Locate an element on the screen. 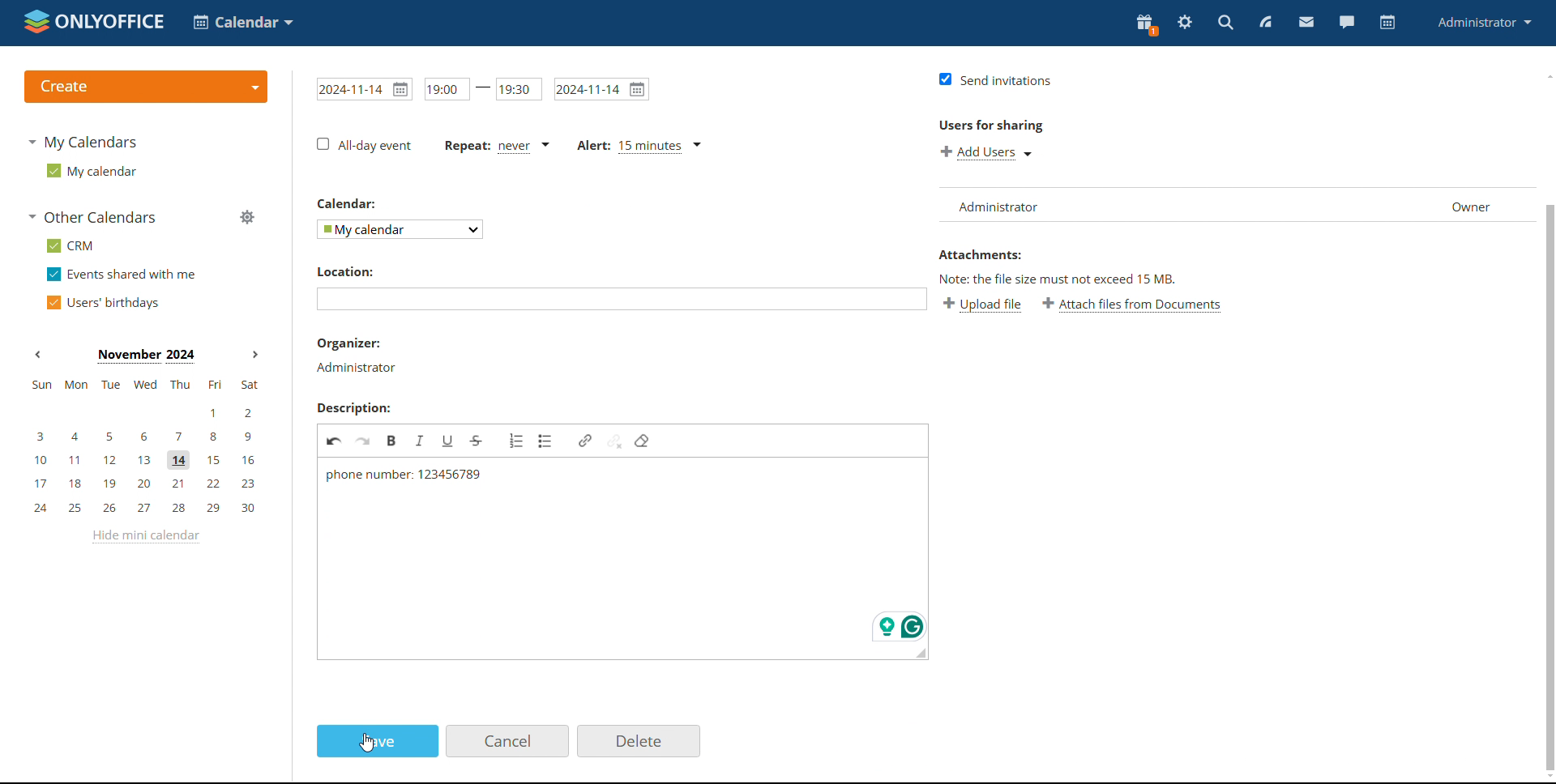  events shared with me is located at coordinates (123, 275).